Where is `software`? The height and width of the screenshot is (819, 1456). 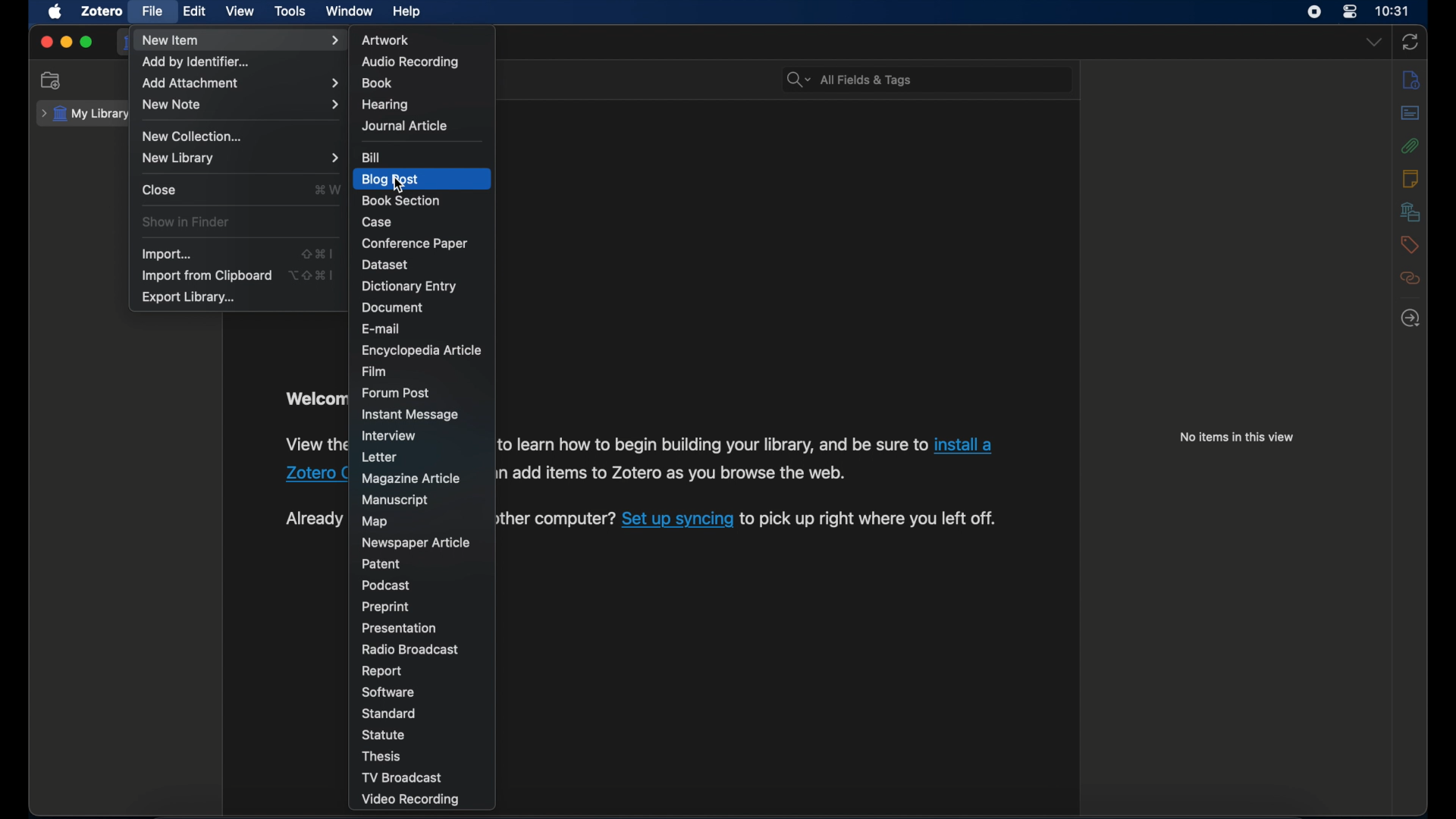
software is located at coordinates (388, 692).